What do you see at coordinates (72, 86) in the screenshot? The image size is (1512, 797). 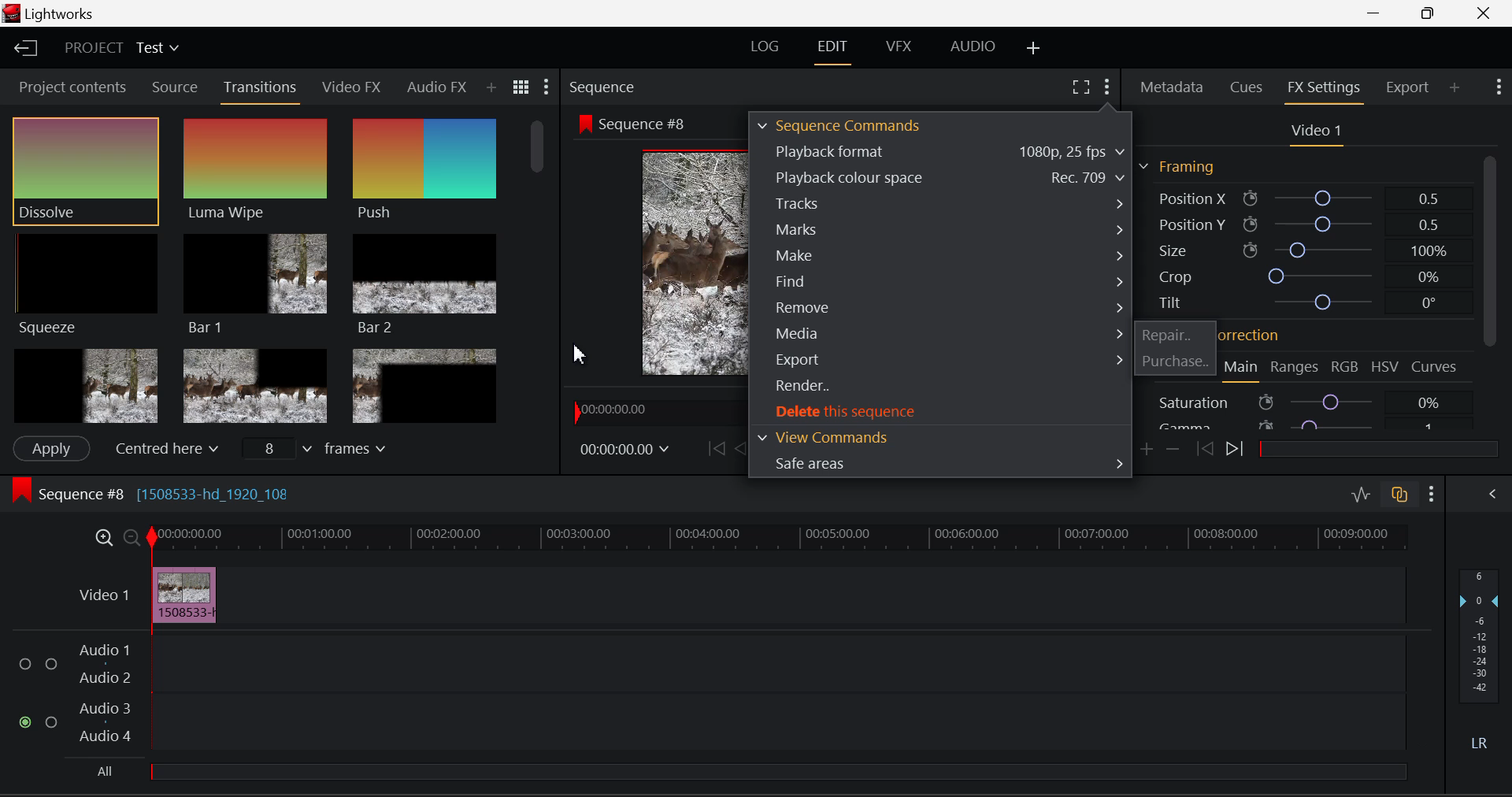 I see `Project contents` at bounding box center [72, 86].